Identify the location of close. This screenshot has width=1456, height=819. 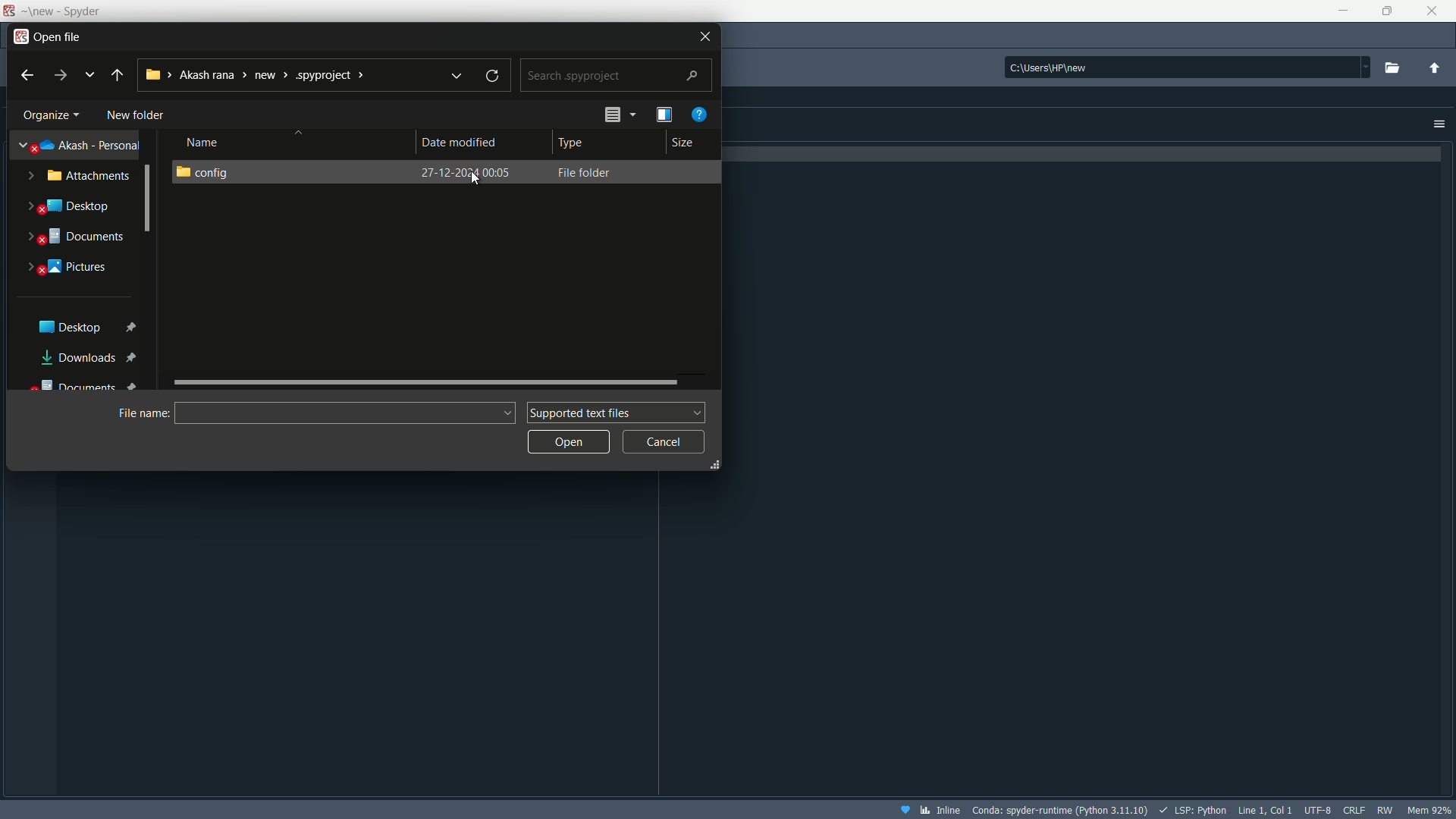
(1432, 11).